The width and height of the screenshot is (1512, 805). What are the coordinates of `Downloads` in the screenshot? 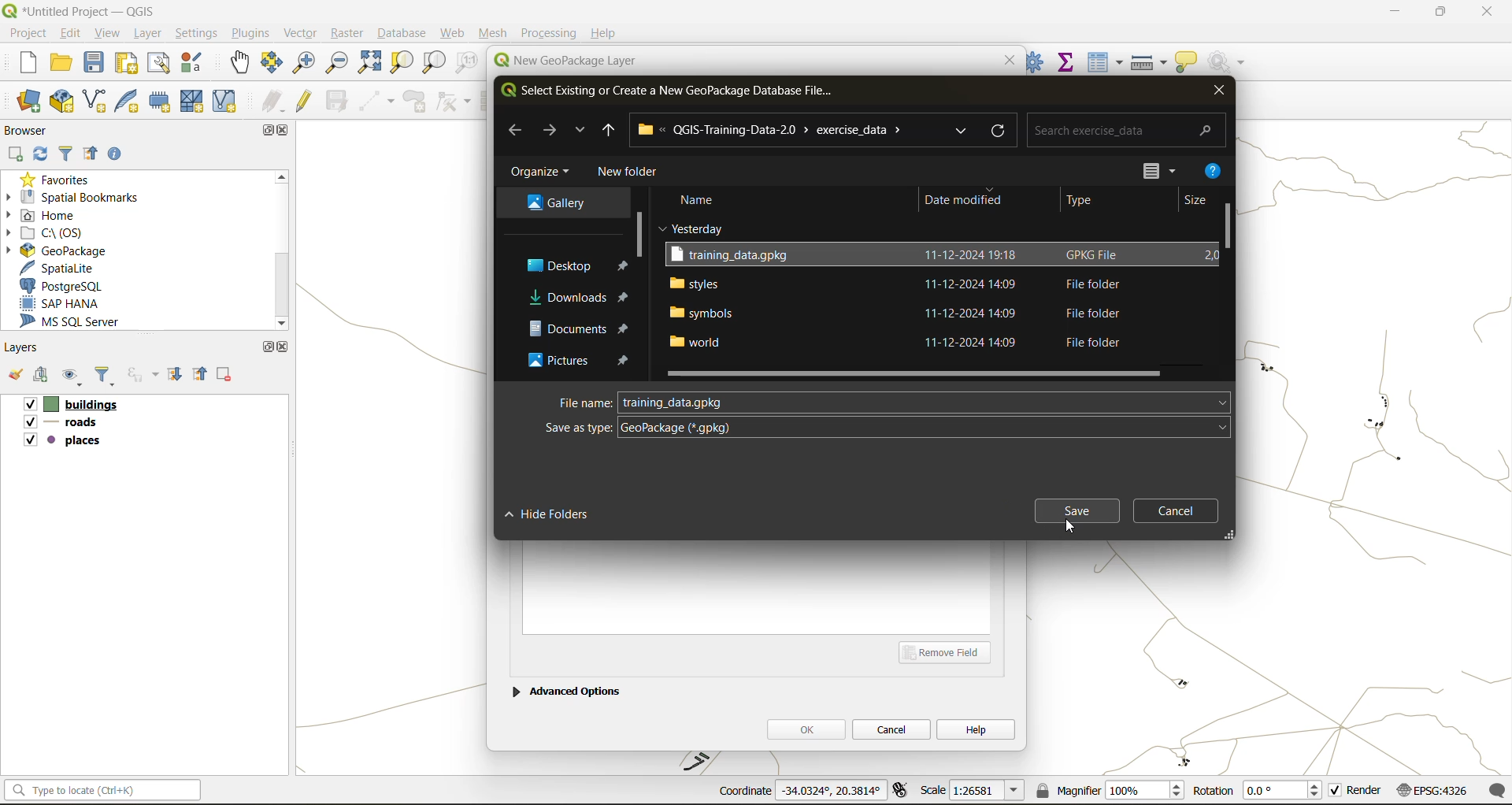 It's located at (560, 295).